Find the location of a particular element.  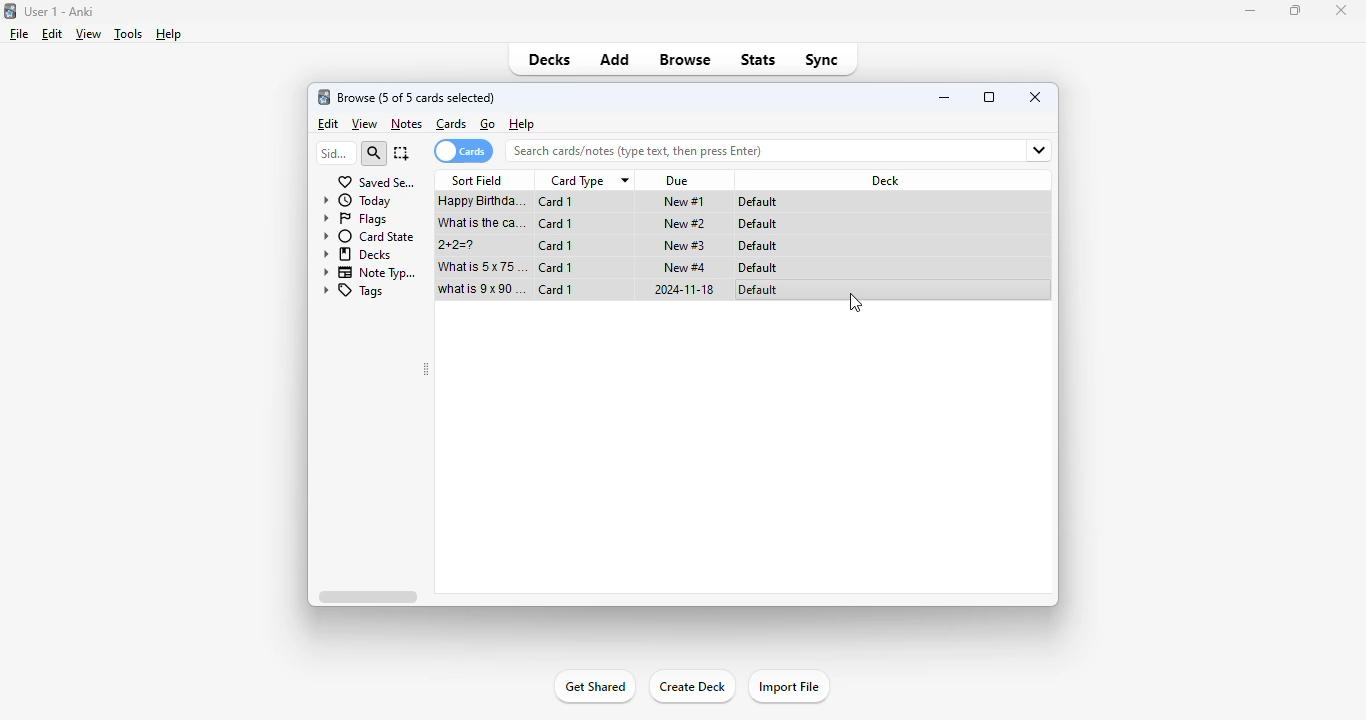

default is located at coordinates (758, 290).